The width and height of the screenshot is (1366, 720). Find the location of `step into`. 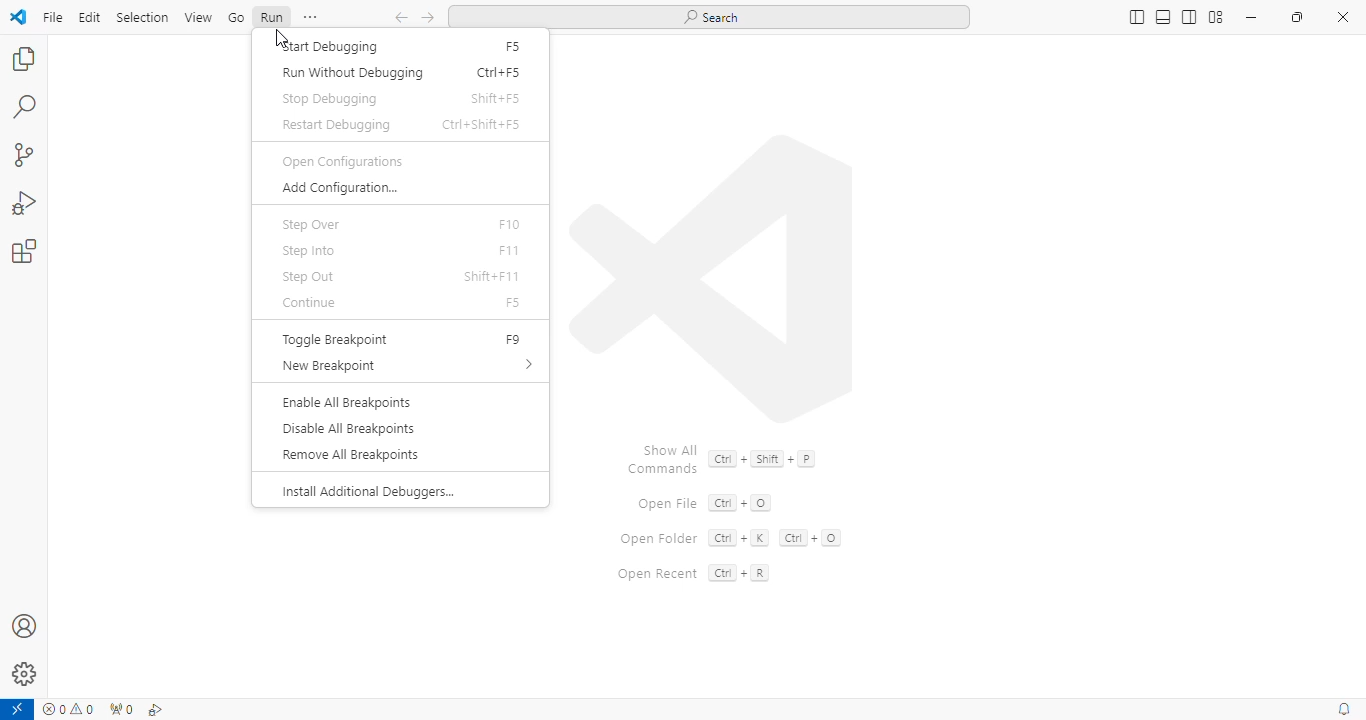

step into is located at coordinates (309, 251).